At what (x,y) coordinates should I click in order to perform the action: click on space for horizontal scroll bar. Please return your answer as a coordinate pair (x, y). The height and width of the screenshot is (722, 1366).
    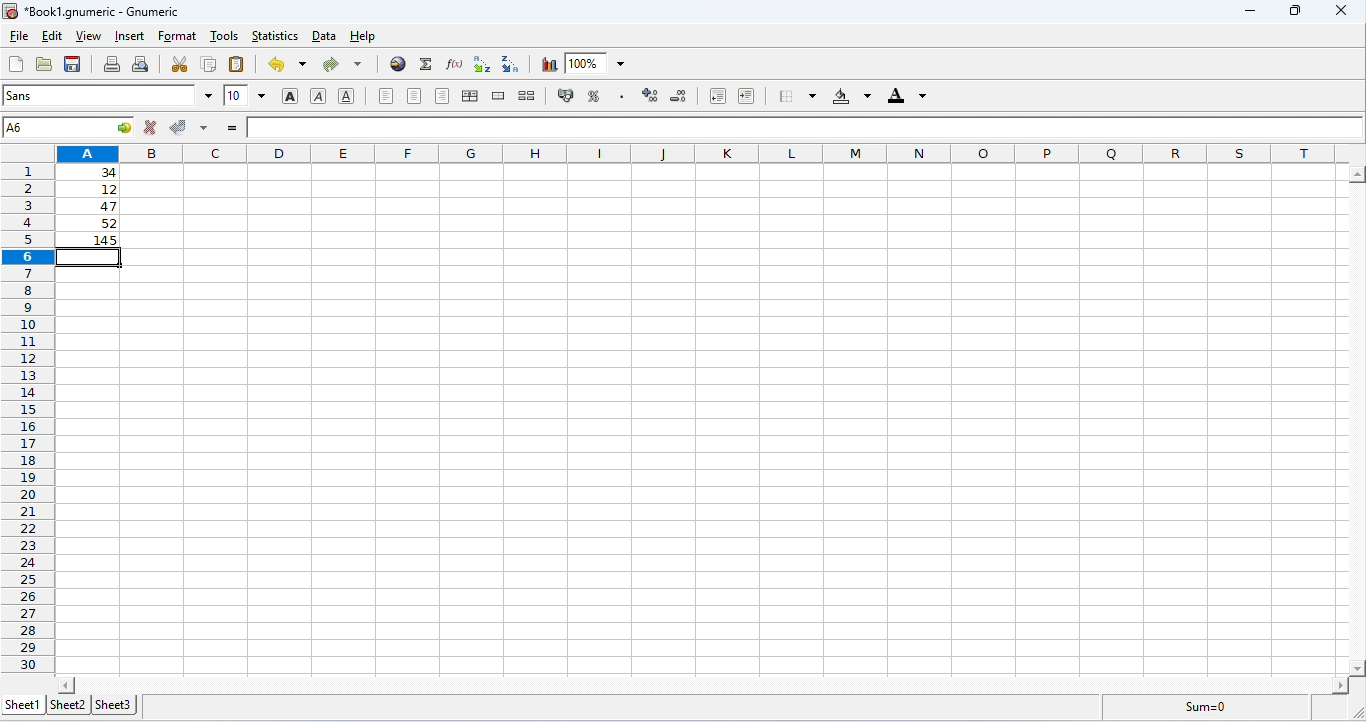
    Looking at the image, I should click on (705, 683).